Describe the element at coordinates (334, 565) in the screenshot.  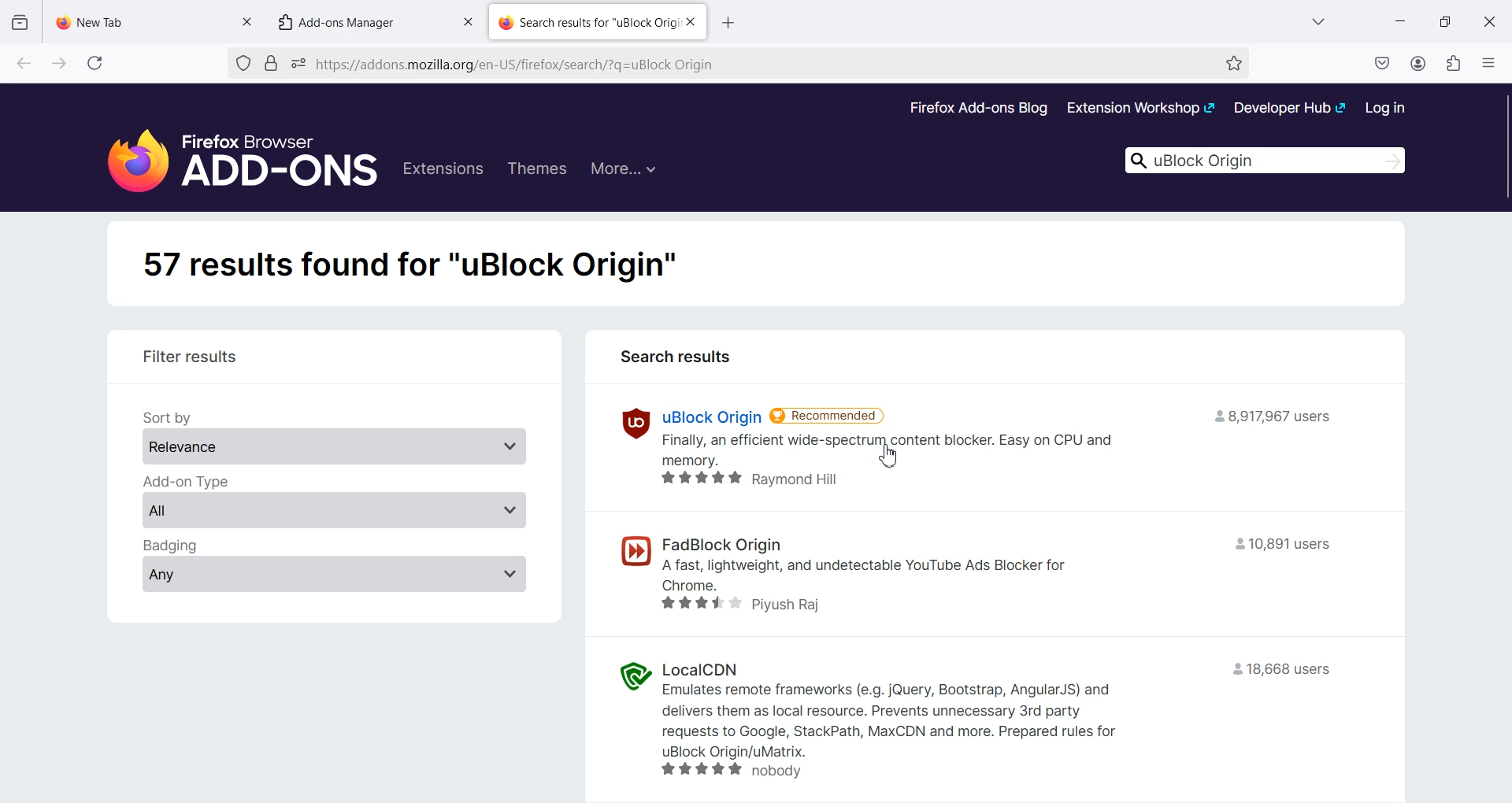
I see `Badging - Any` at that location.